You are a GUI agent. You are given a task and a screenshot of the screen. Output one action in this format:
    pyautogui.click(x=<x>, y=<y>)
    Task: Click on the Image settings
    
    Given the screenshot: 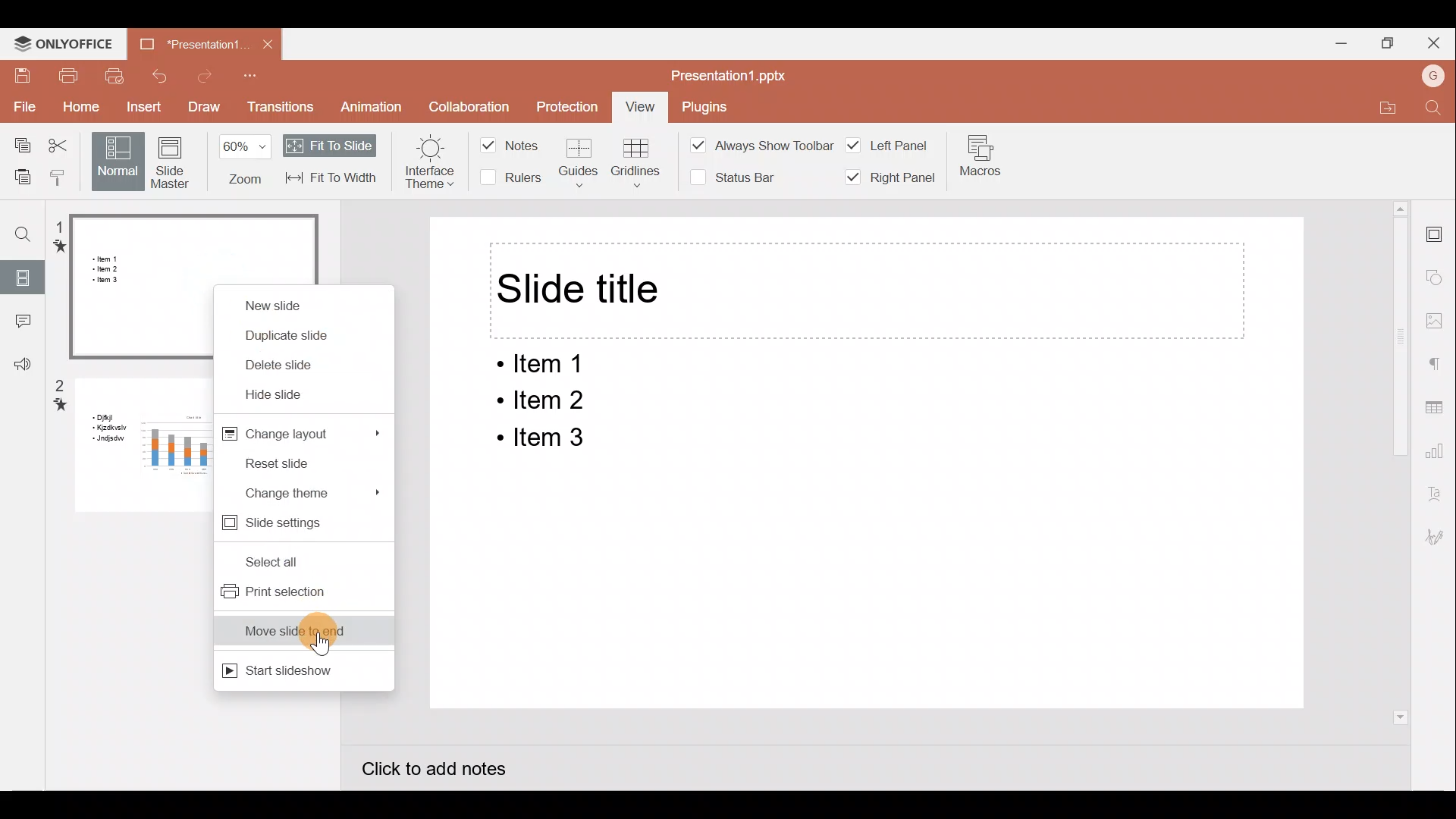 What is the action you would take?
    pyautogui.click(x=1438, y=318)
    